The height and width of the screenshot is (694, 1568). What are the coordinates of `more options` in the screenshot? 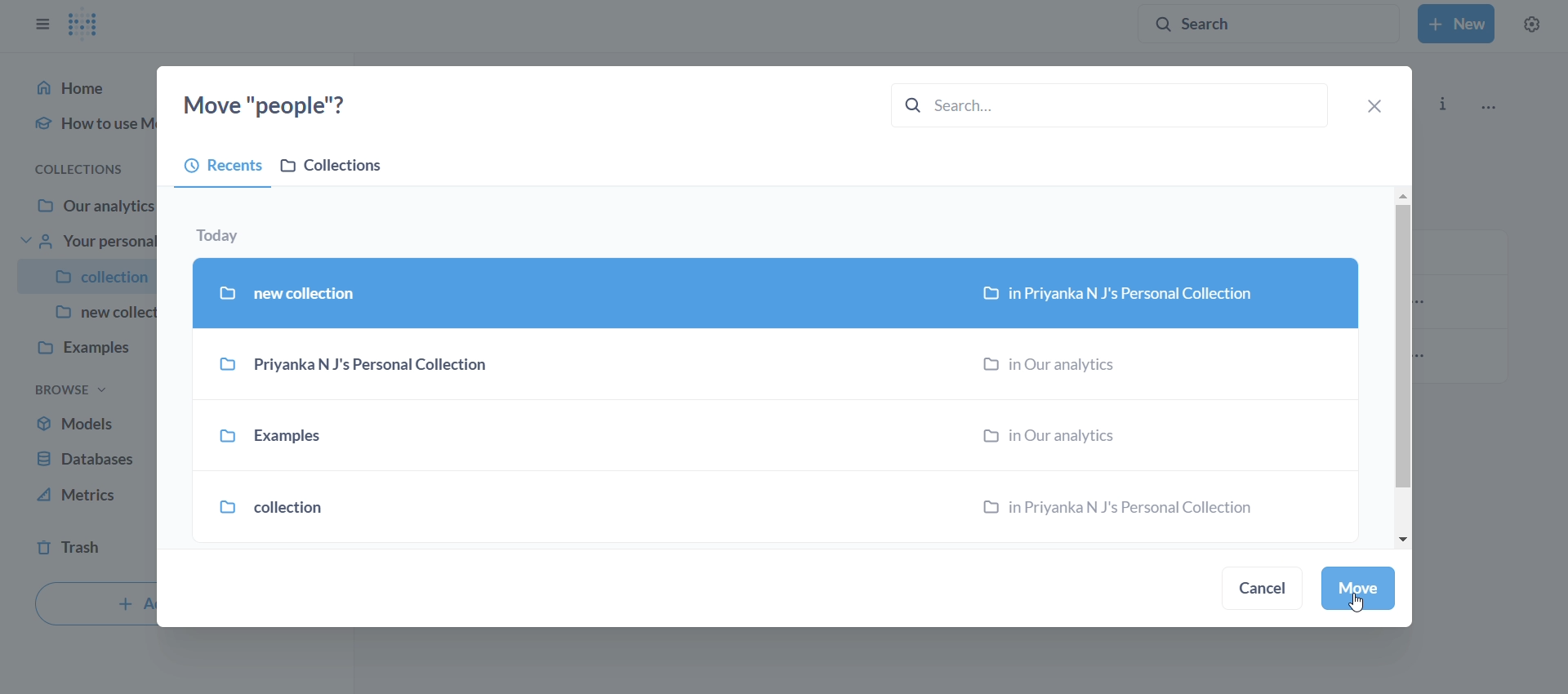 It's located at (1489, 105).